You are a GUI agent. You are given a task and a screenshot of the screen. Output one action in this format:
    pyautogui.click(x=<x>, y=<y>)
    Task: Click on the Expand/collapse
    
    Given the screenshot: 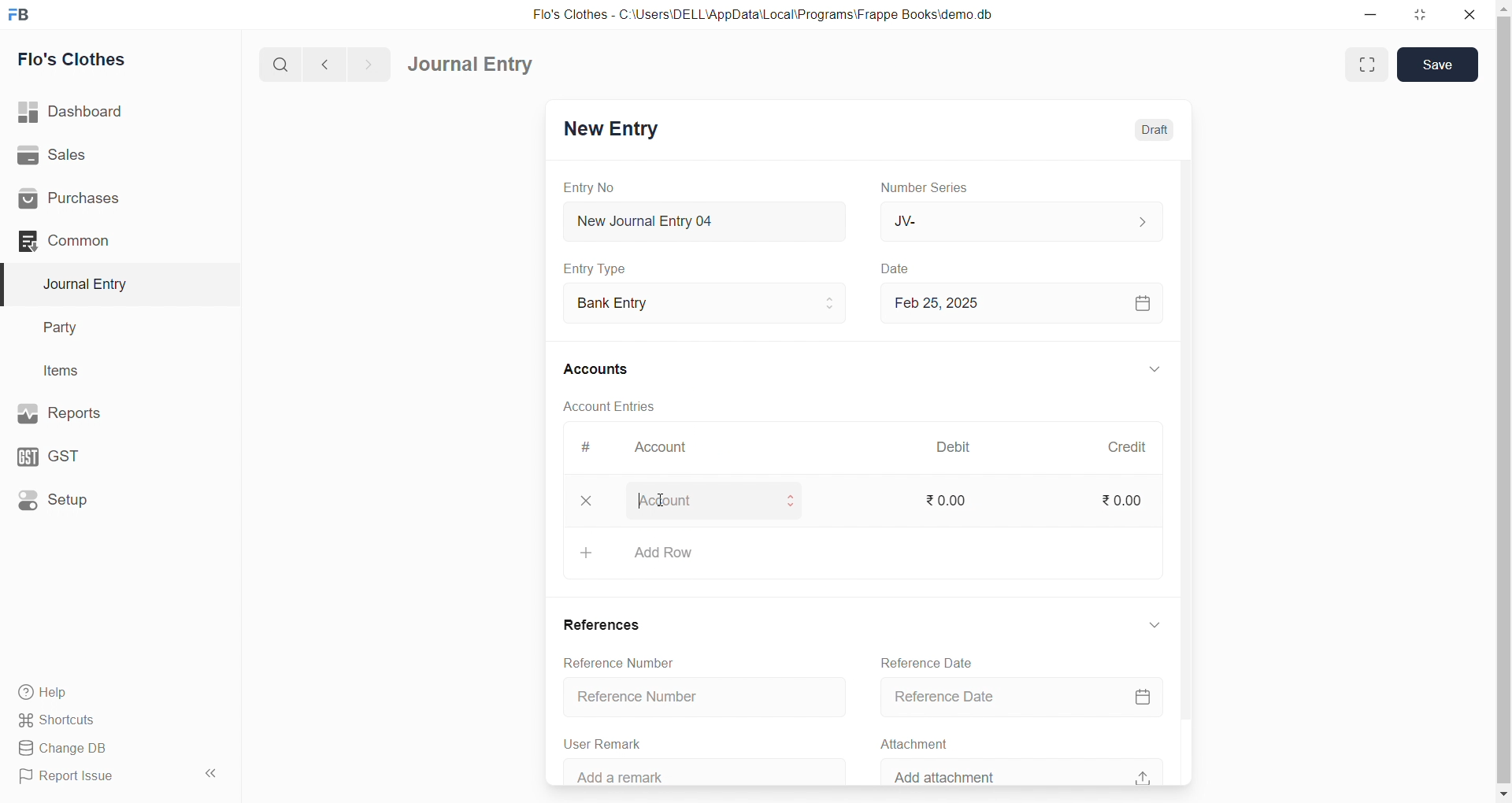 What is the action you would take?
    pyautogui.click(x=1154, y=624)
    